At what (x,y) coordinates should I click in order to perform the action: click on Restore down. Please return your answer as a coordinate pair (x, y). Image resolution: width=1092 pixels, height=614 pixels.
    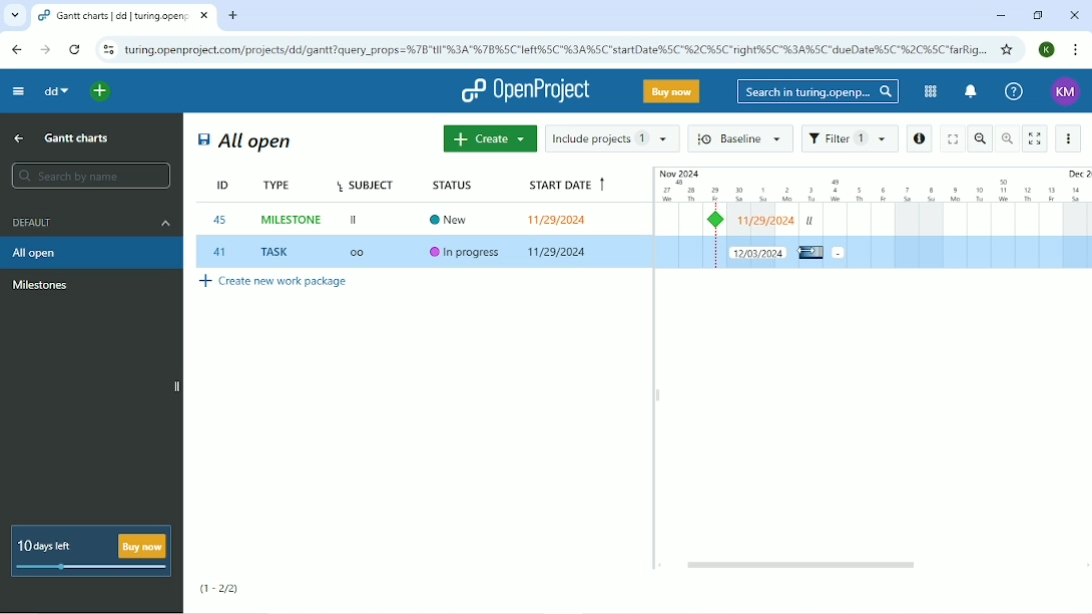
    Looking at the image, I should click on (1039, 16).